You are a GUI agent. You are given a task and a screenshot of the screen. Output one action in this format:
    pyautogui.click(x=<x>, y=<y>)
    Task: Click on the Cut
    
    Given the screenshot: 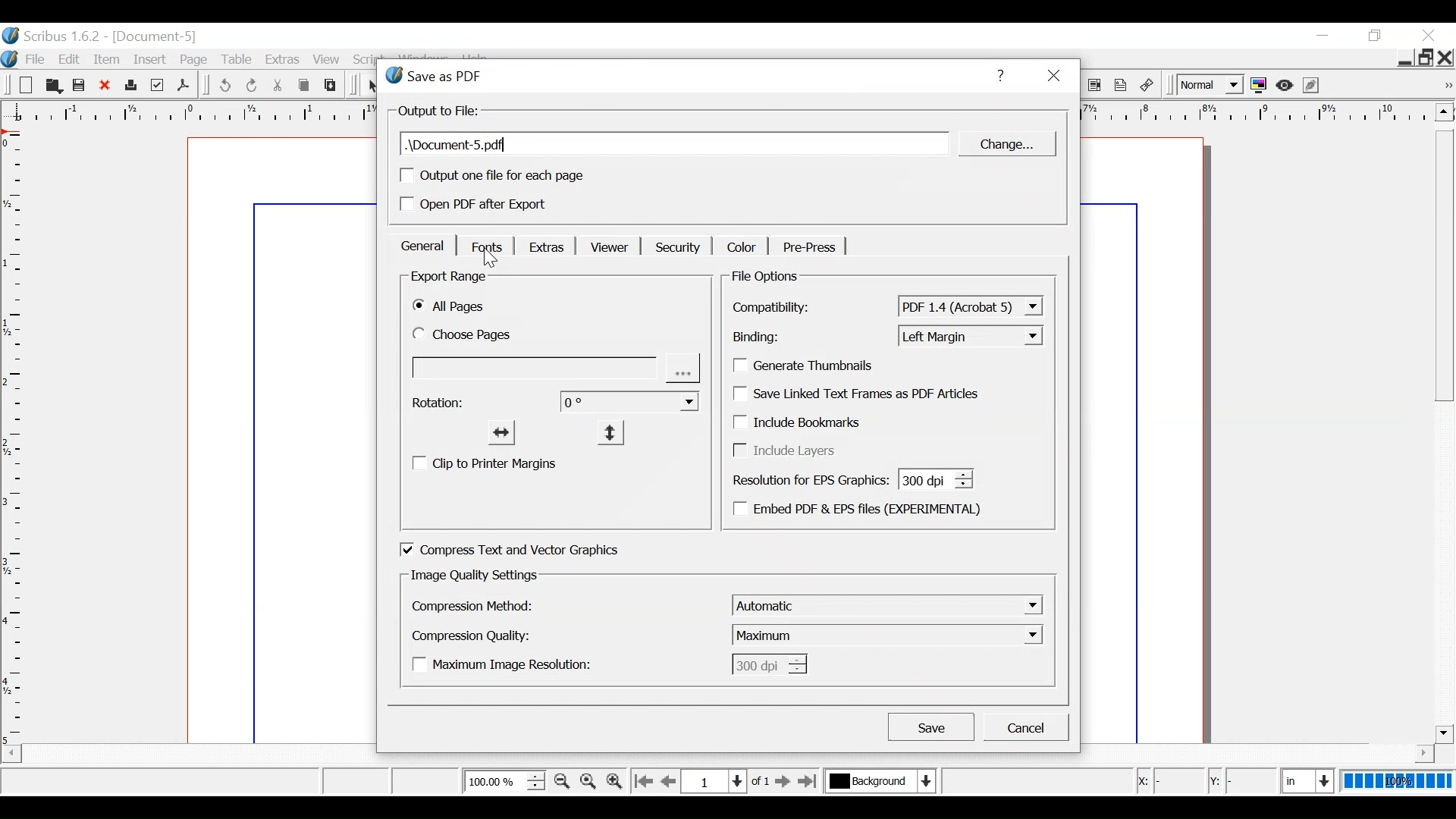 What is the action you would take?
    pyautogui.click(x=278, y=86)
    